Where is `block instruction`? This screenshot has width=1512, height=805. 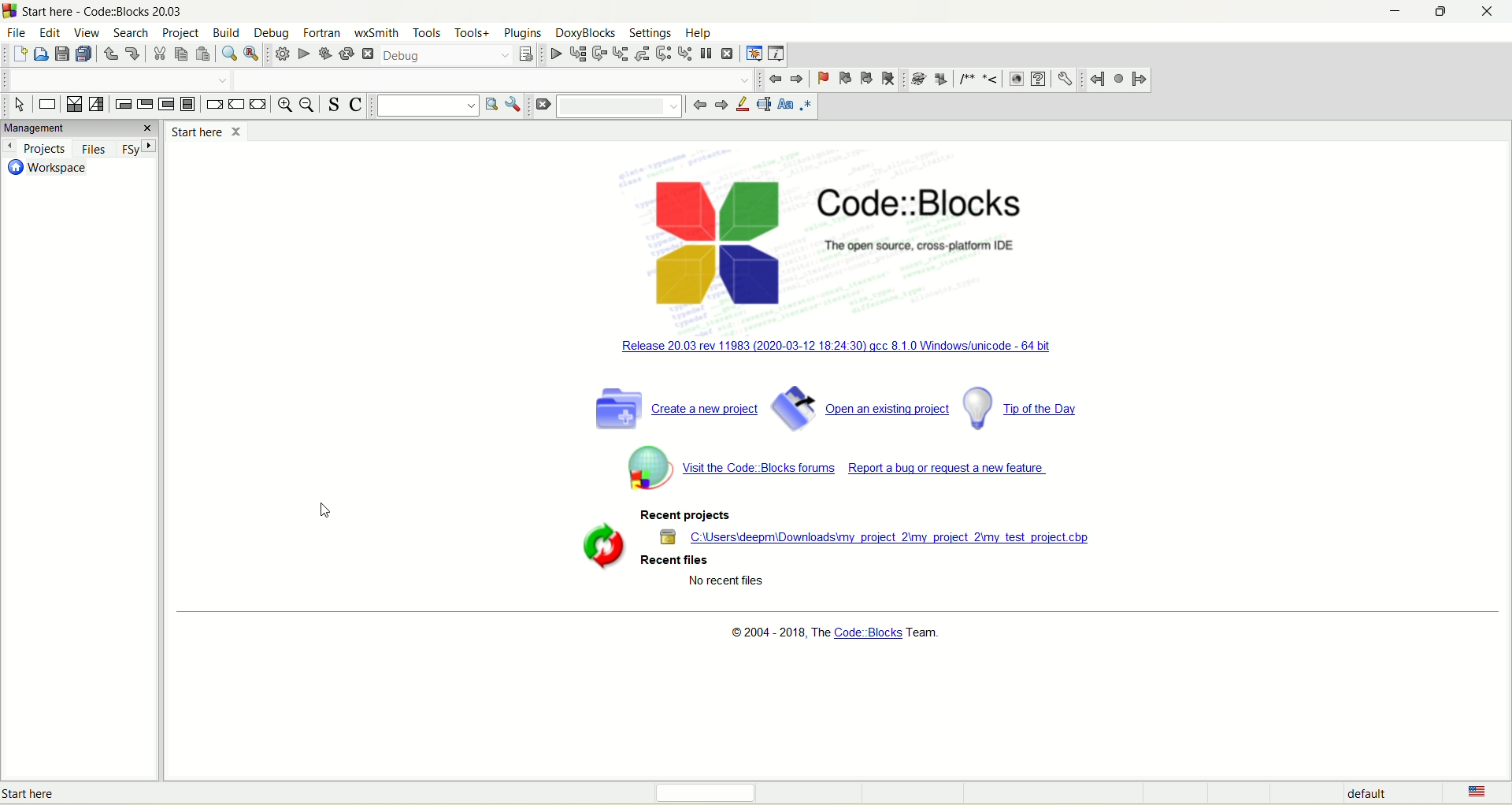 block instruction is located at coordinates (187, 104).